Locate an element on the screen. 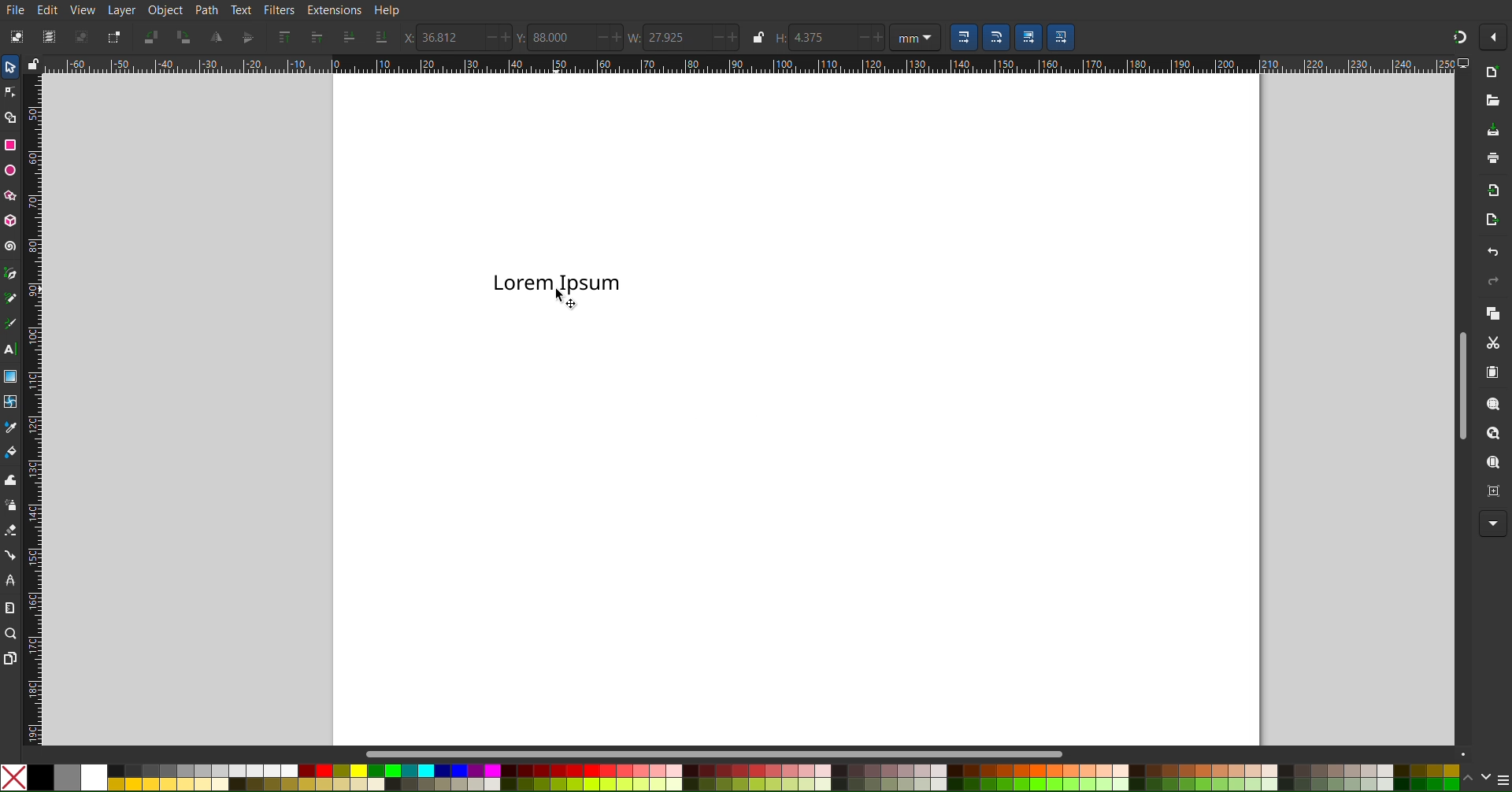 The width and height of the screenshot is (1512, 792). lock is located at coordinates (757, 36).